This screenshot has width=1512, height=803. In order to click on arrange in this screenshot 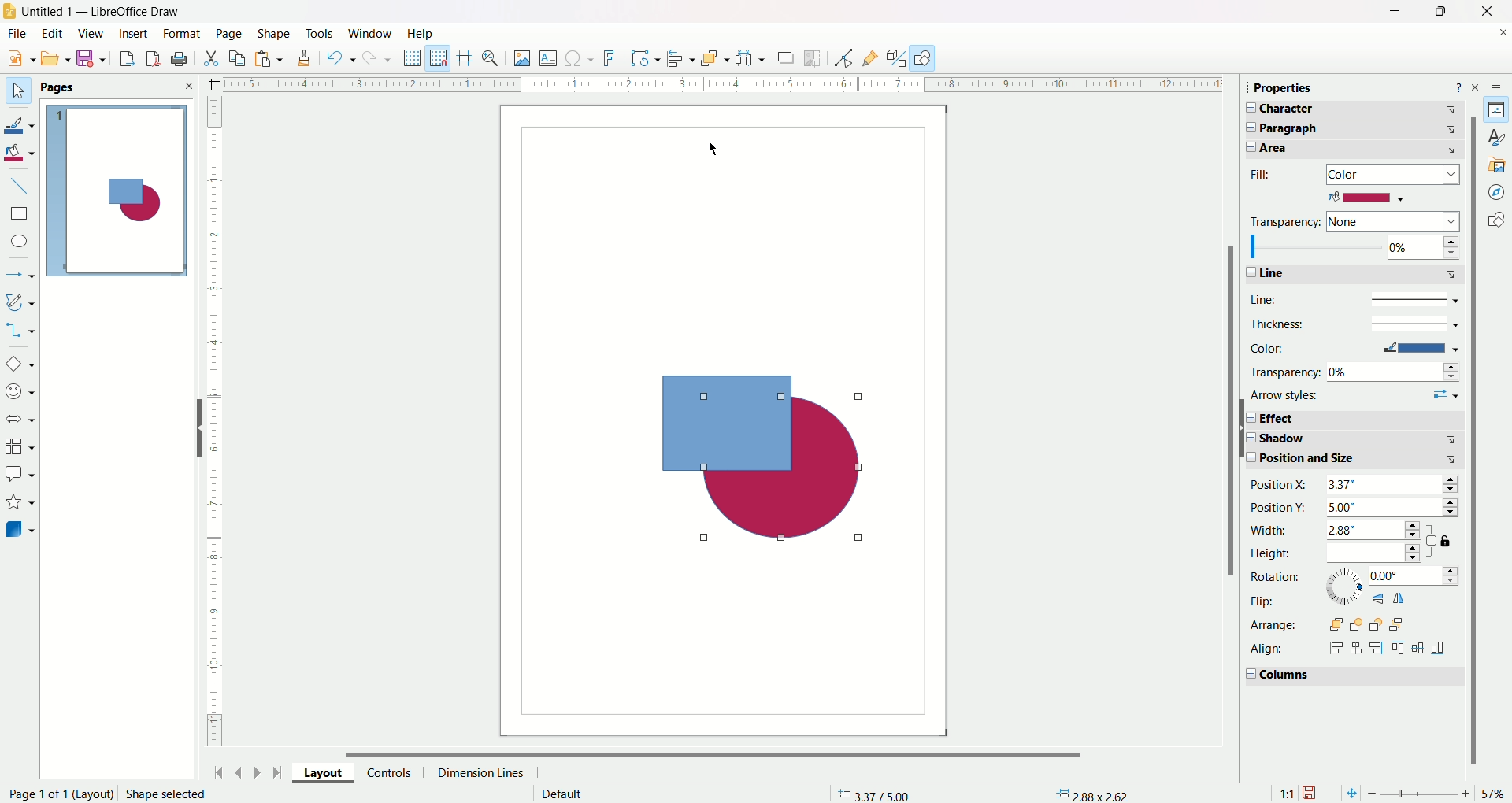, I will do `click(713, 58)`.